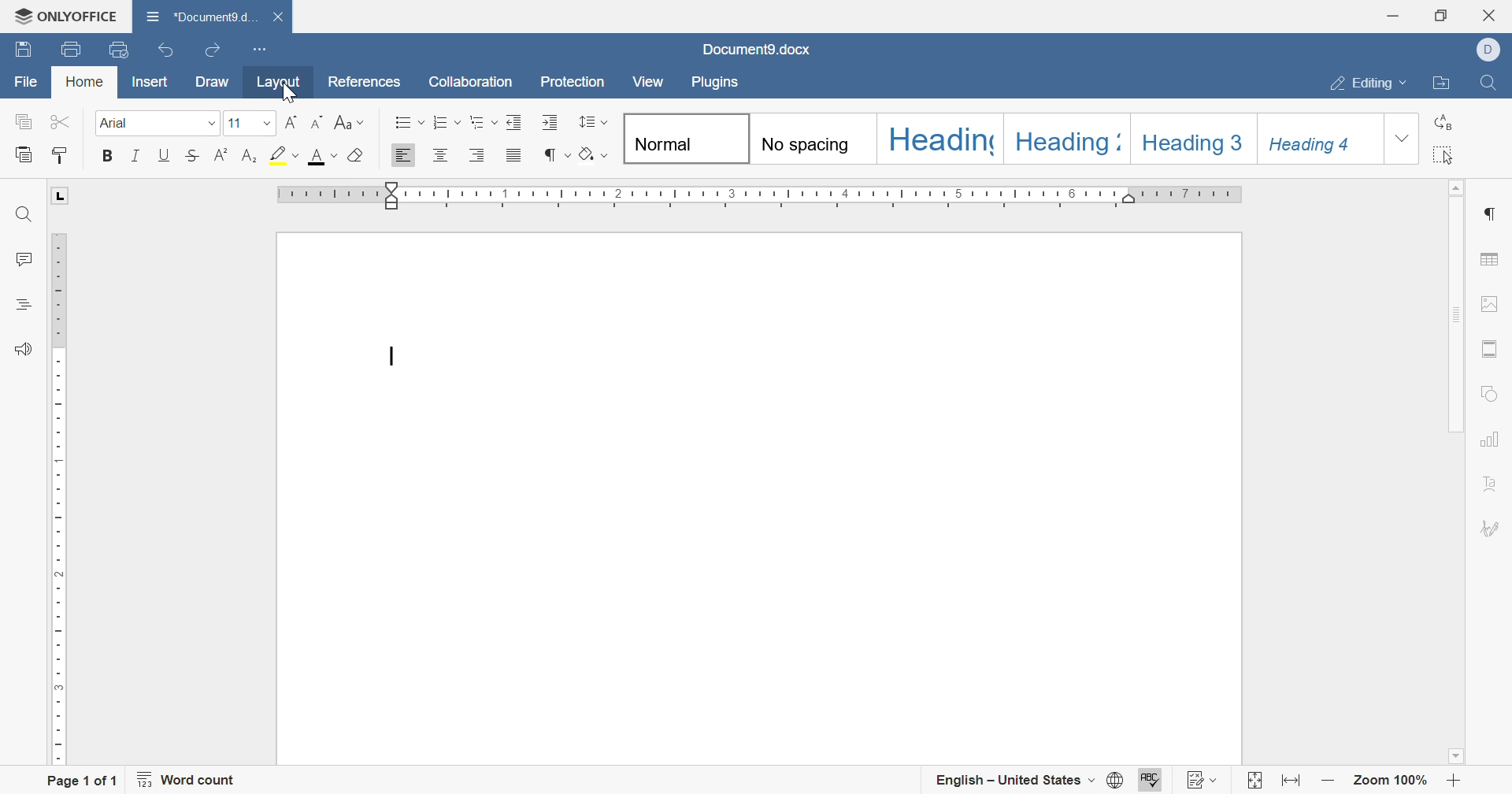 The height and width of the screenshot is (794, 1512). What do you see at coordinates (277, 82) in the screenshot?
I see `layout` at bounding box center [277, 82].